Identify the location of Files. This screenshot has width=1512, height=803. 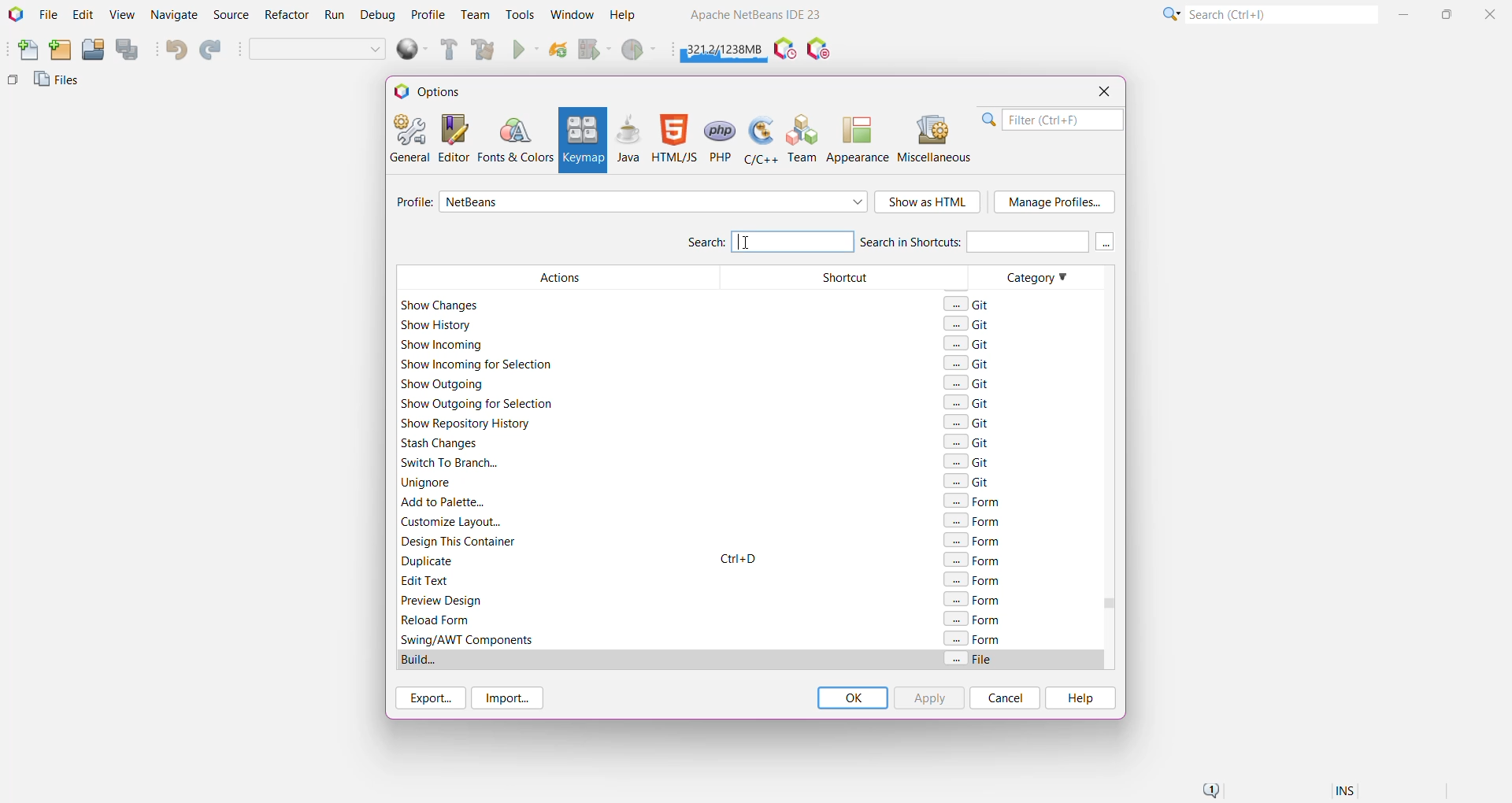
(59, 83).